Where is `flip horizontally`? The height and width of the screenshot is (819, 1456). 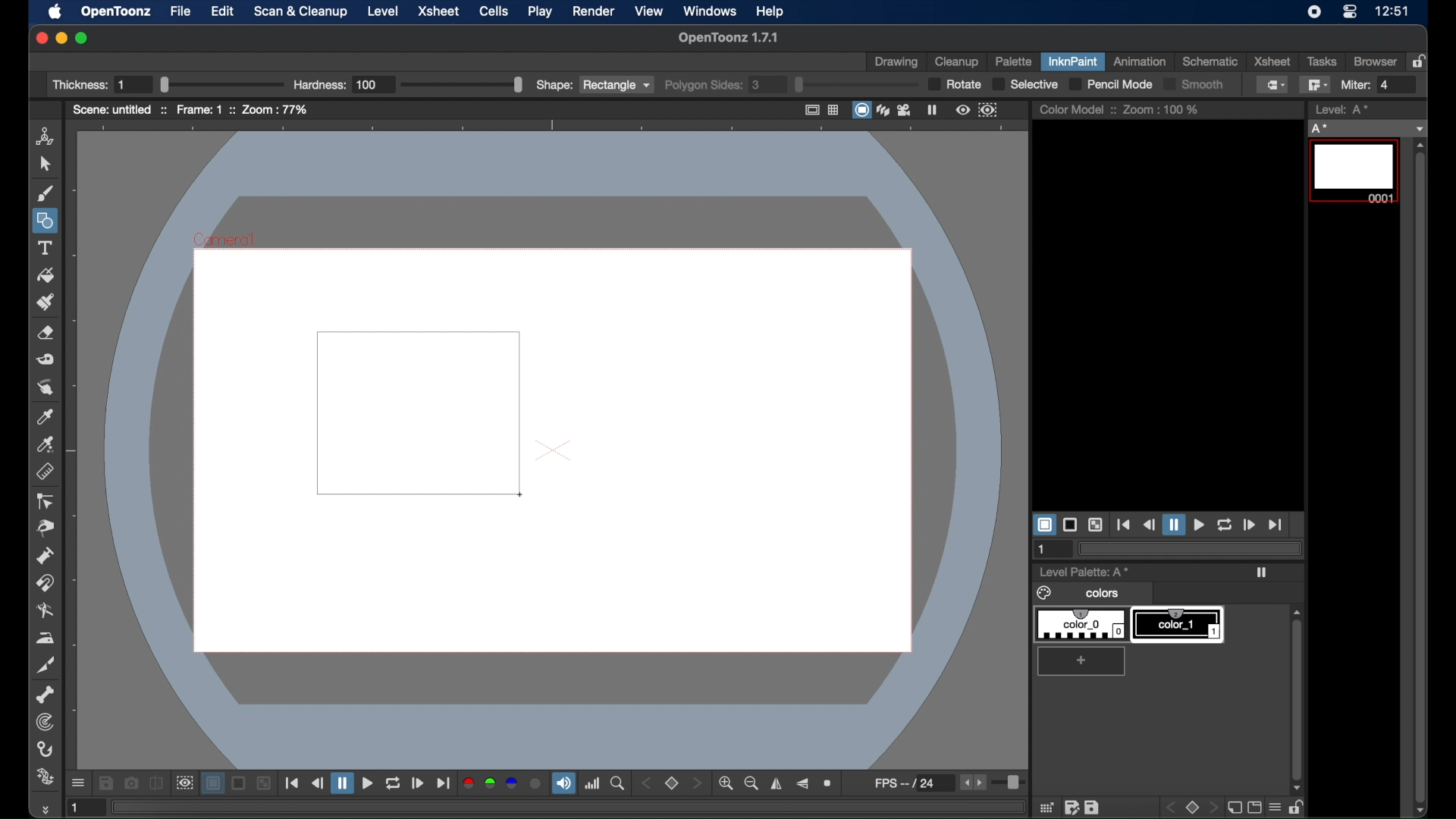 flip horizontally is located at coordinates (777, 783).